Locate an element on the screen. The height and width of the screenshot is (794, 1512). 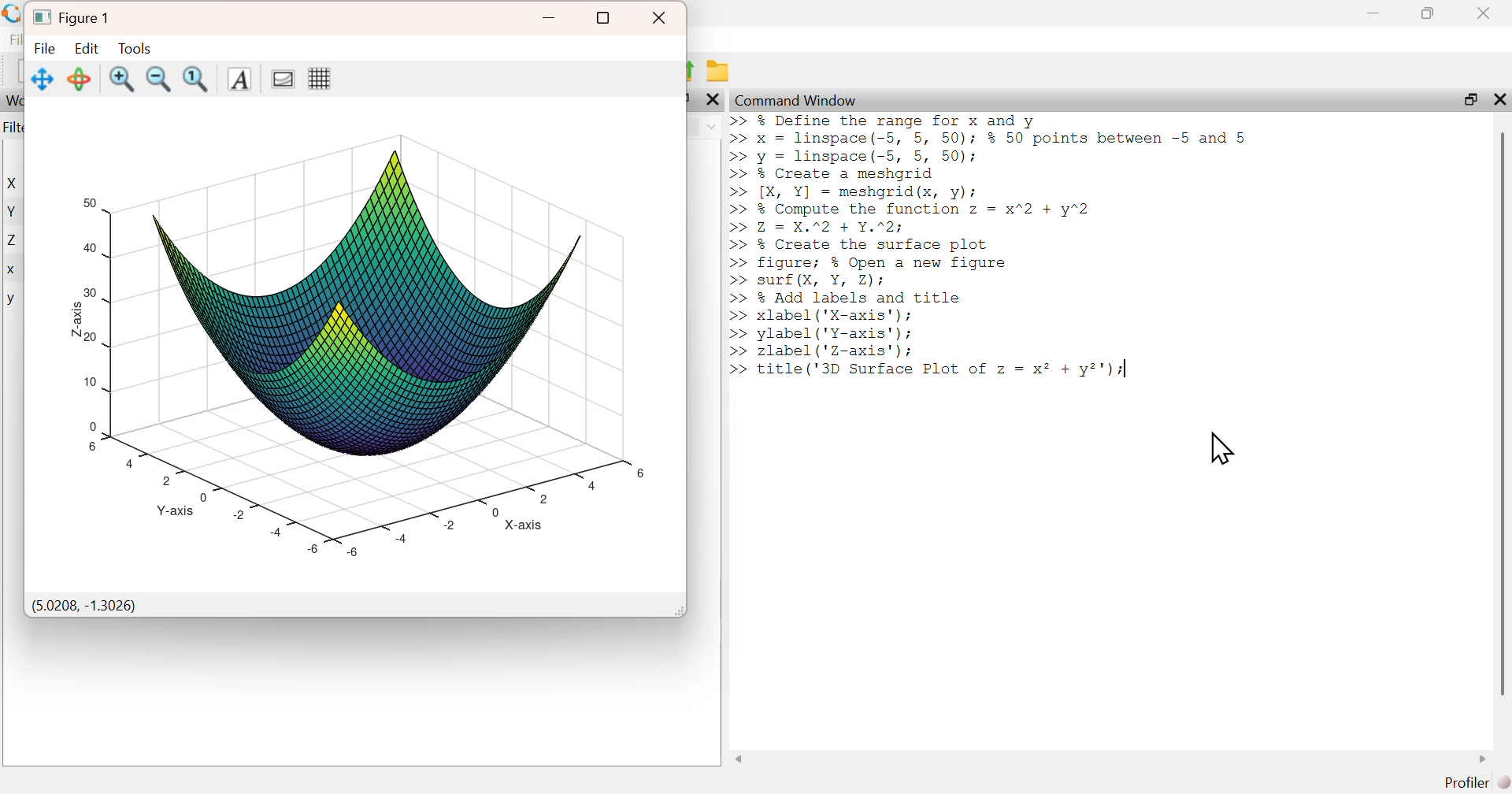
close is located at coordinates (1486, 13).